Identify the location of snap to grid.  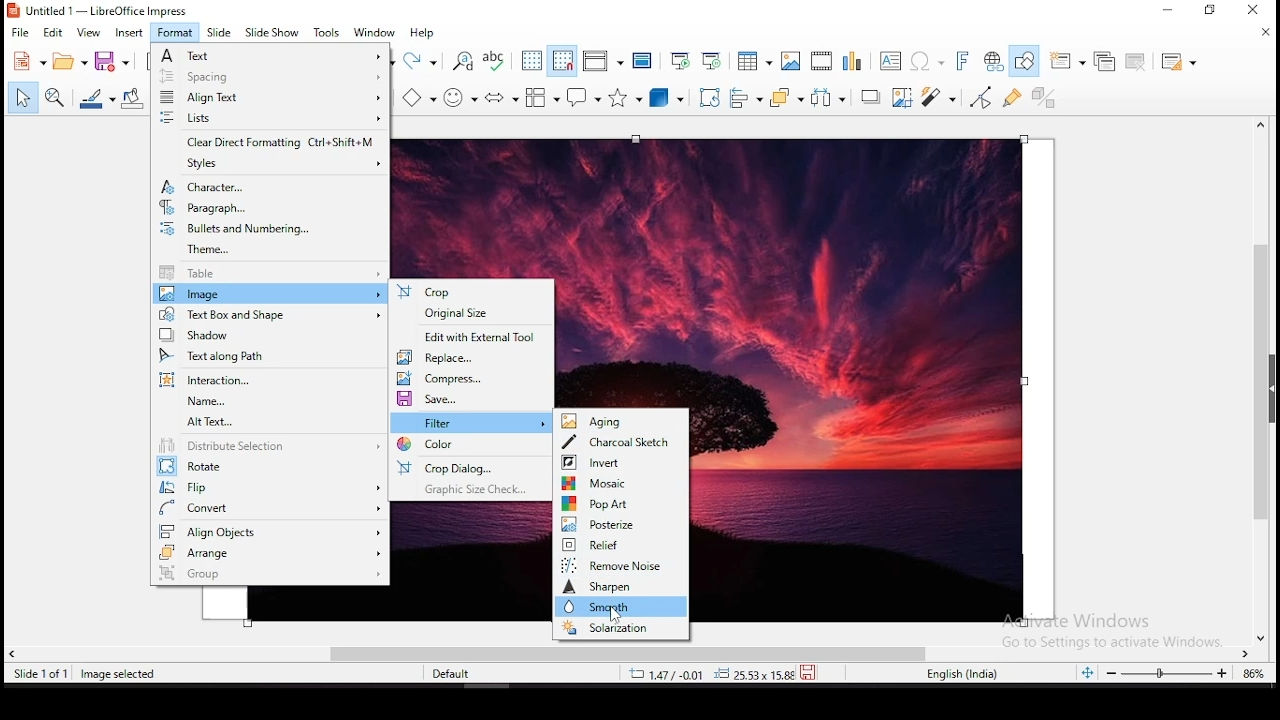
(561, 62).